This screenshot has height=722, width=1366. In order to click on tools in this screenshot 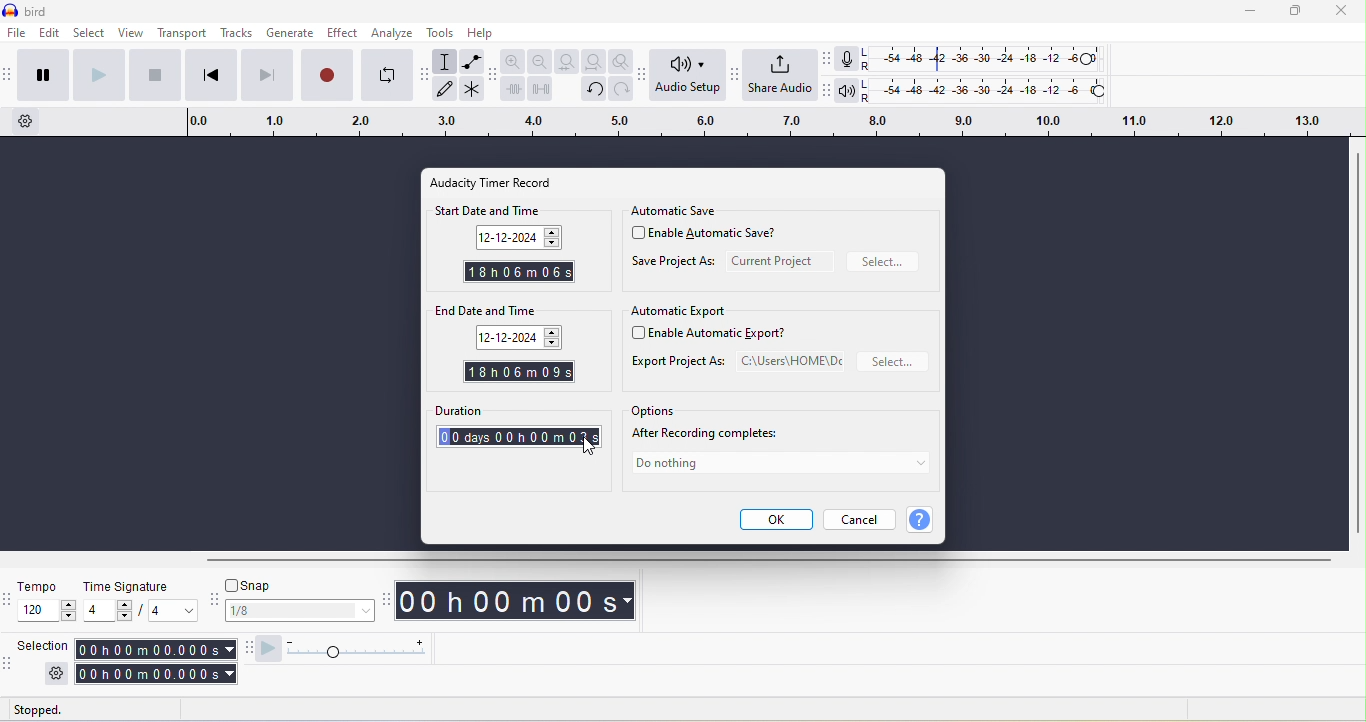, I will do `click(441, 34)`.